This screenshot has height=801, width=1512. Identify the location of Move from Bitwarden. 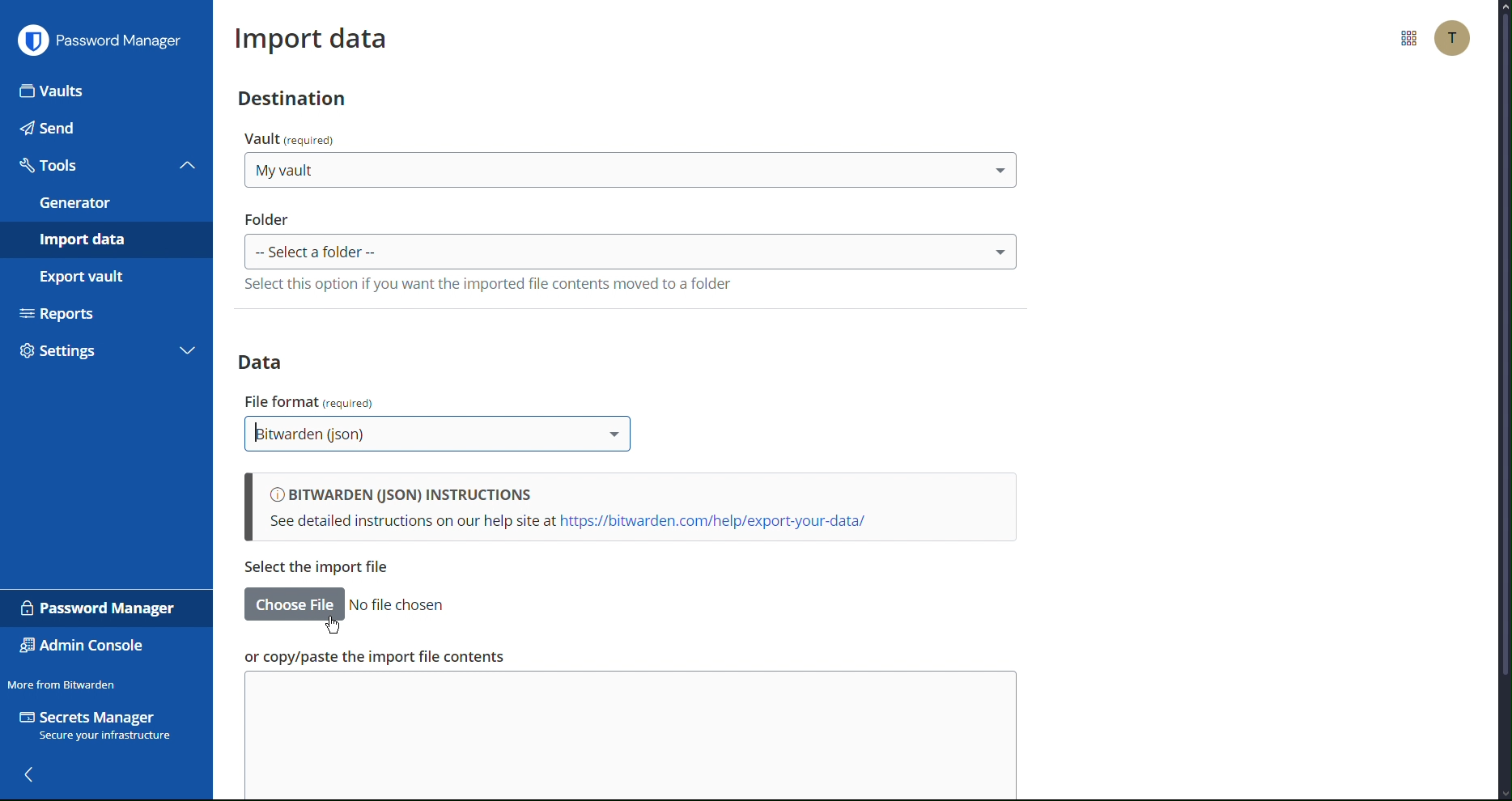
(62, 684).